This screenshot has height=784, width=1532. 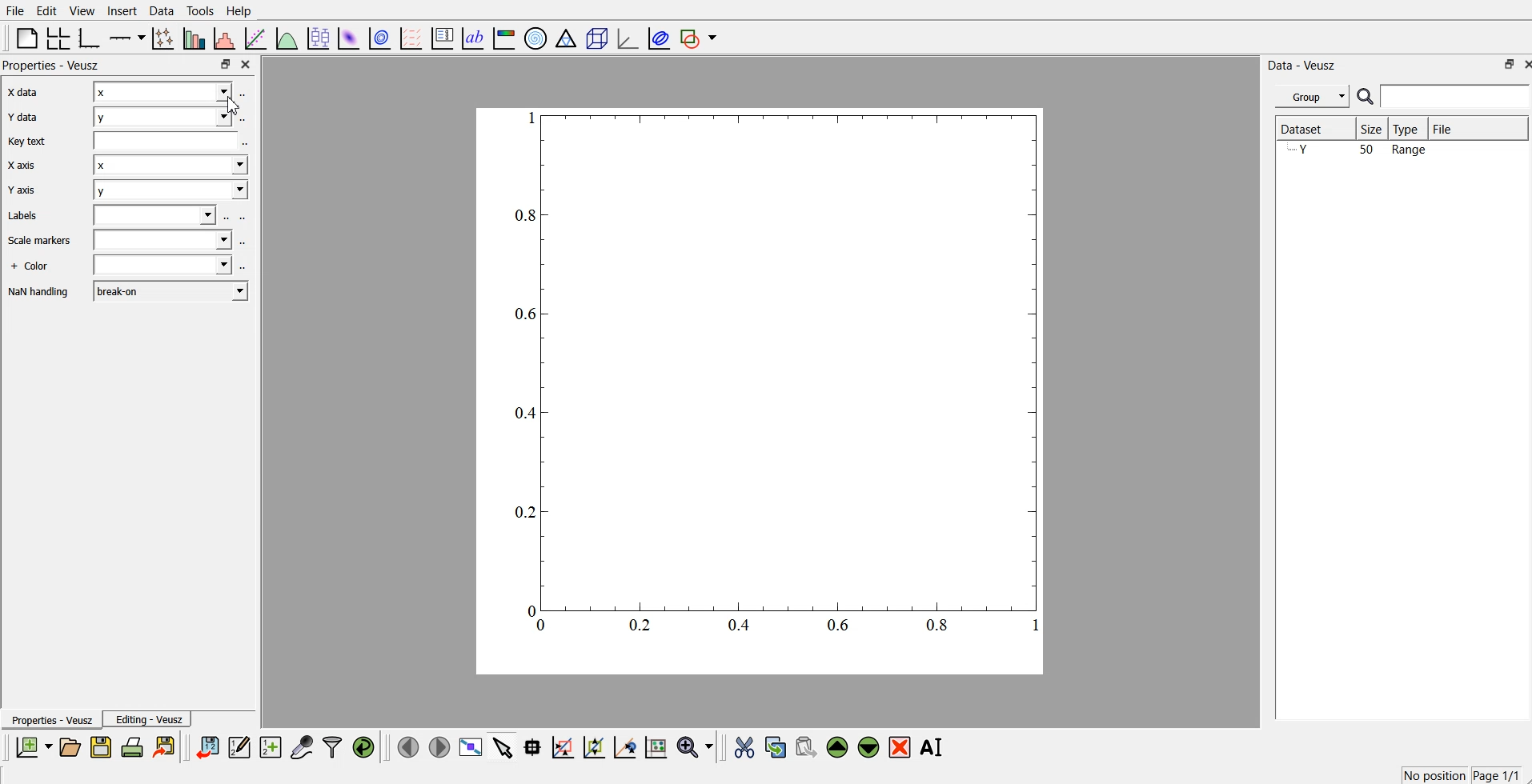 What do you see at coordinates (38, 215) in the screenshot?
I see `Labels` at bounding box center [38, 215].